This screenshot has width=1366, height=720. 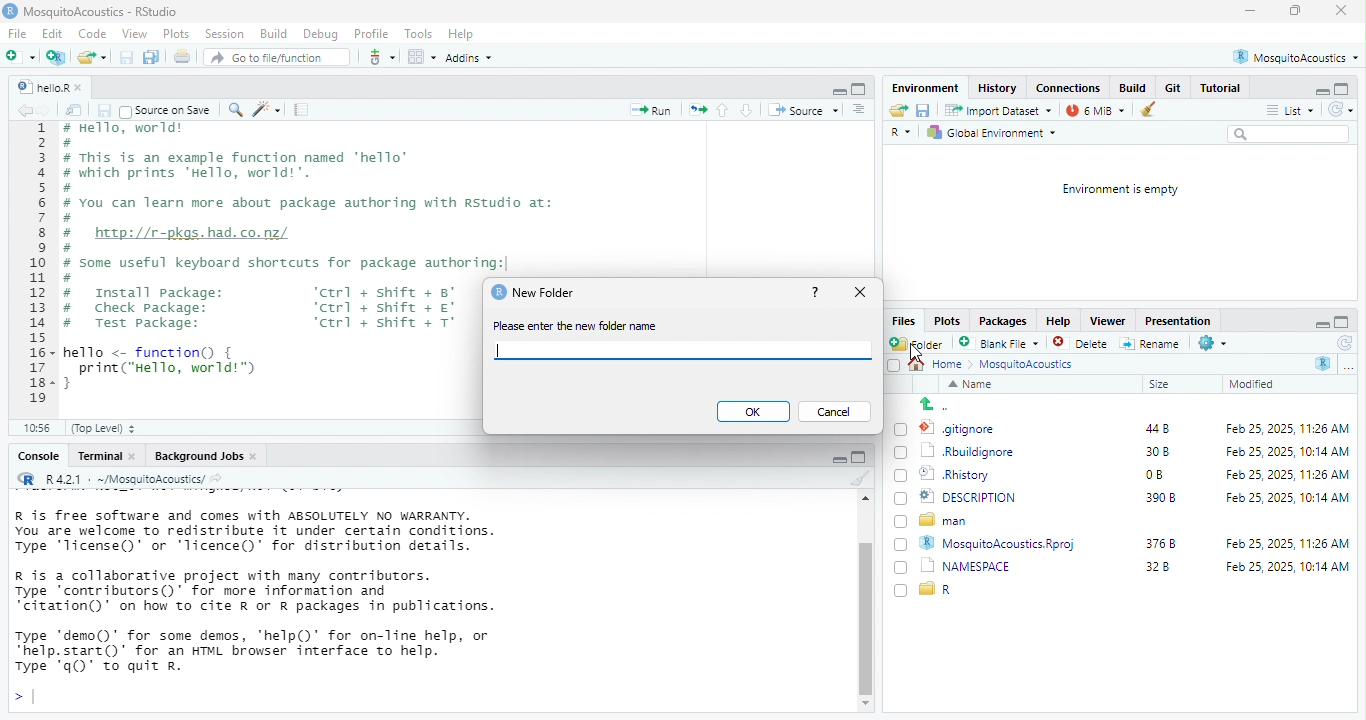 What do you see at coordinates (1172, 385) in the screenshot?
I see `size` at bounding box center [1172, 385].